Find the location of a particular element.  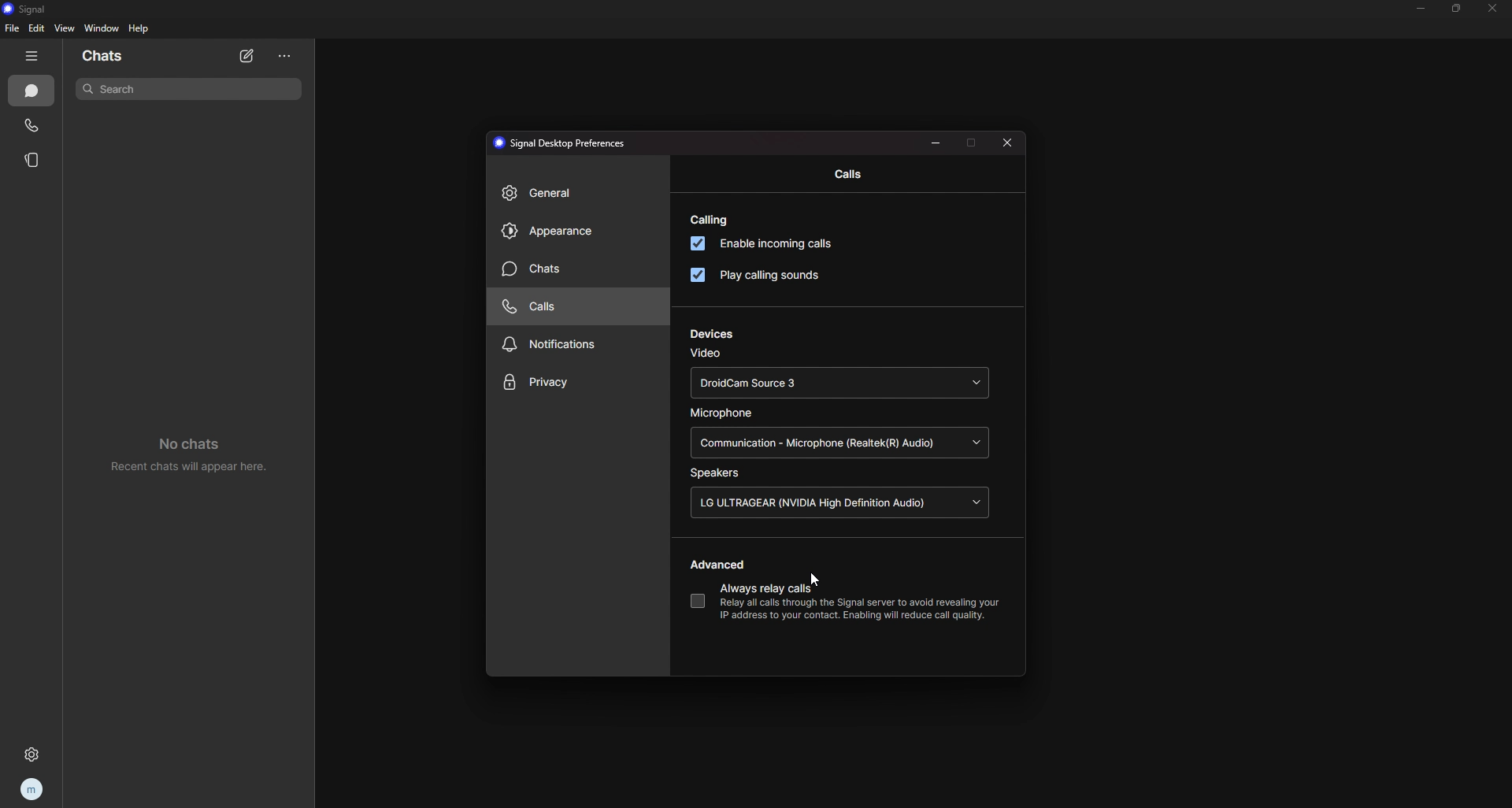

calls is located at coordinates (854, 174).